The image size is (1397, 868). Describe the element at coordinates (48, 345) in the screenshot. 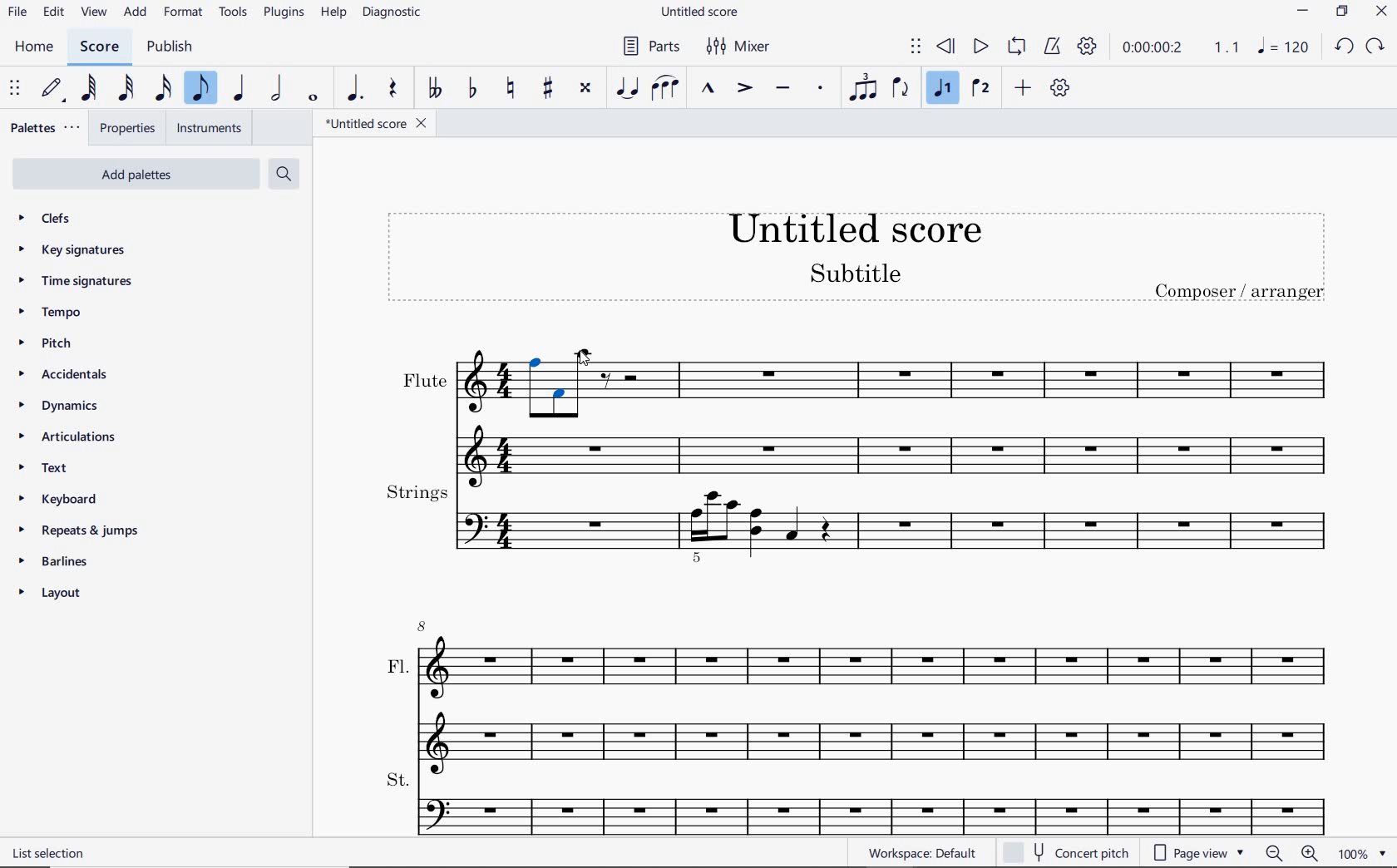

I see `pitch` at that location.